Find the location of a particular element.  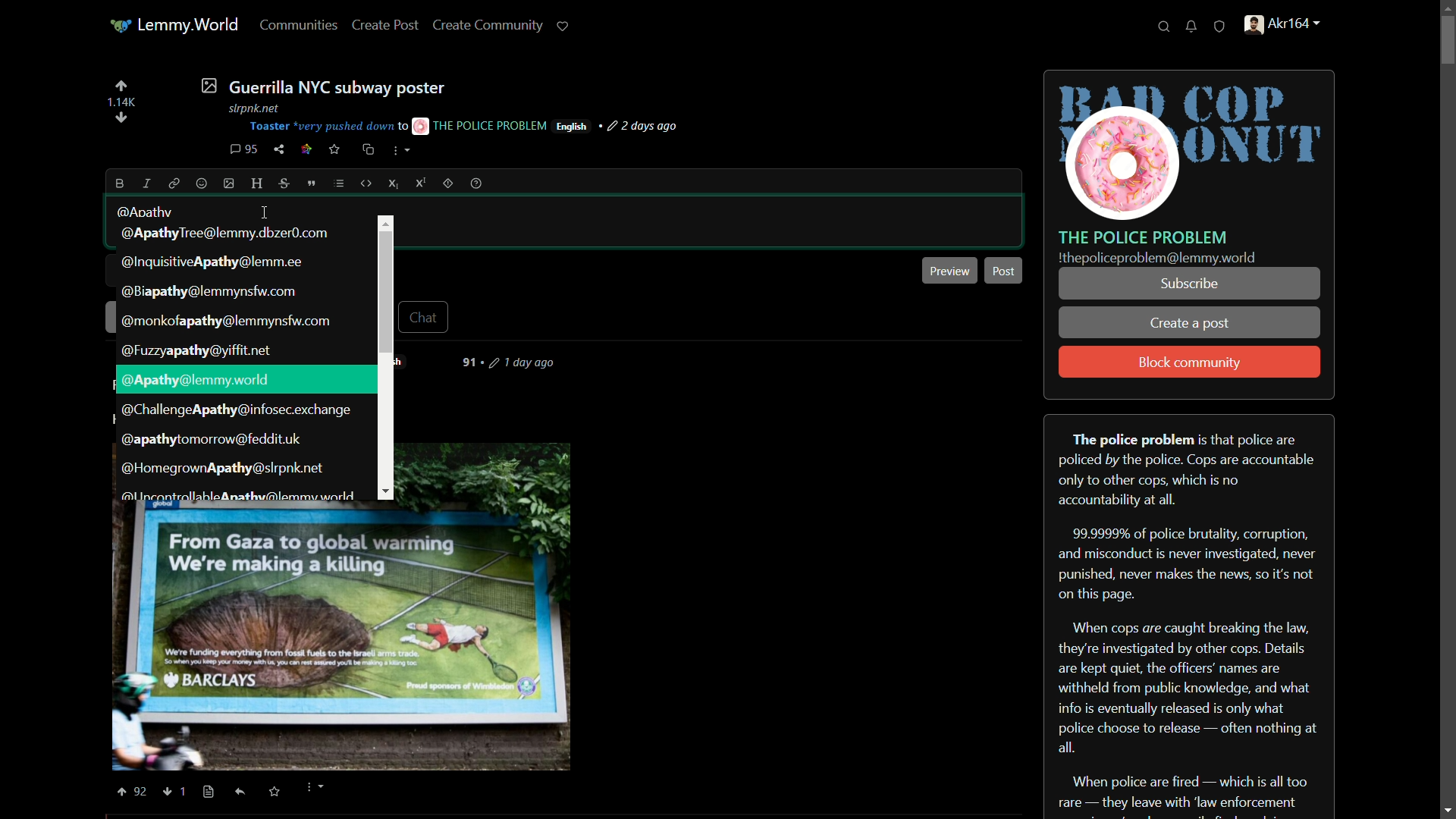

 is located at coordinates (168, 792).